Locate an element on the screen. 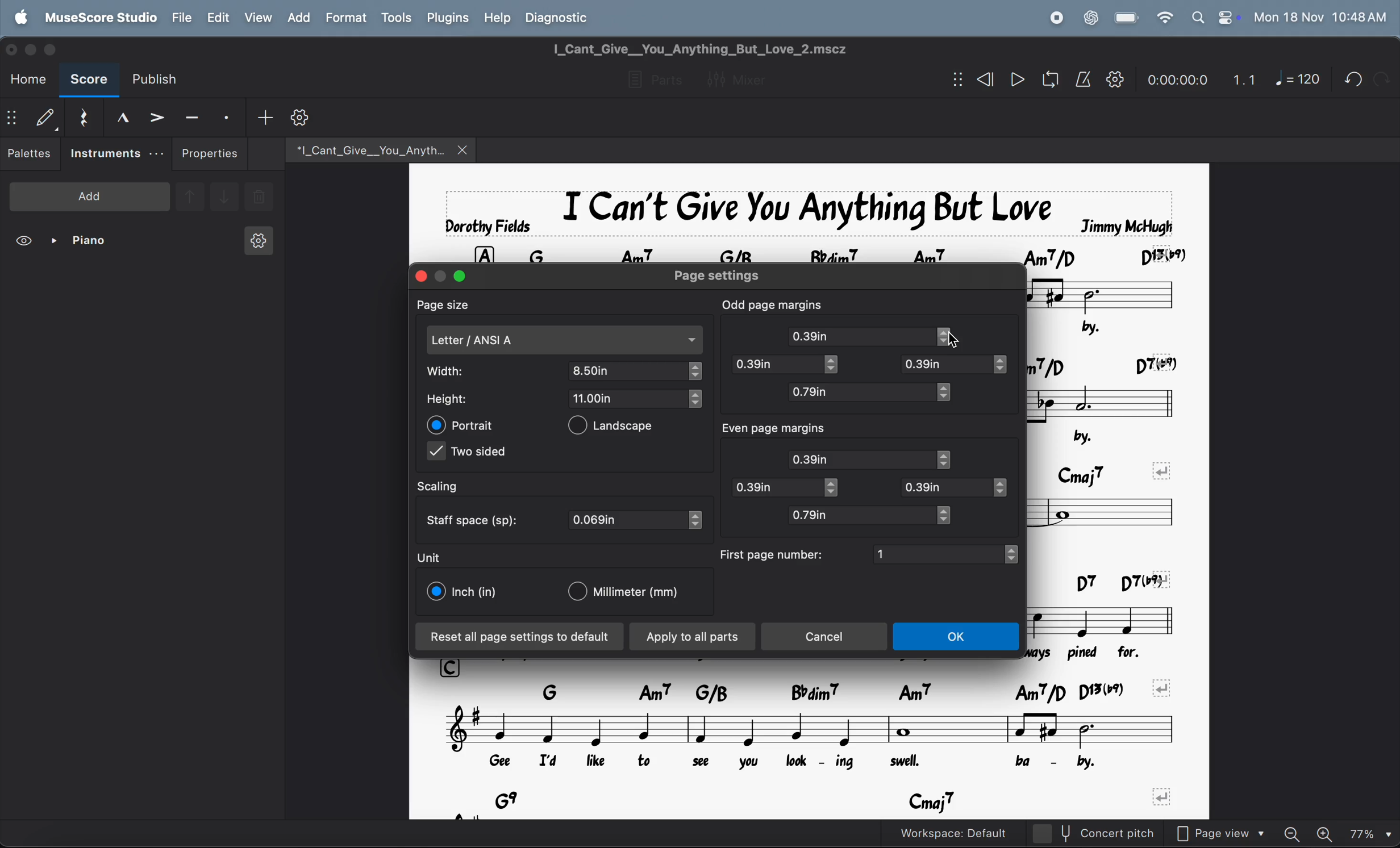  palettes is located at coordinates (31, 156).